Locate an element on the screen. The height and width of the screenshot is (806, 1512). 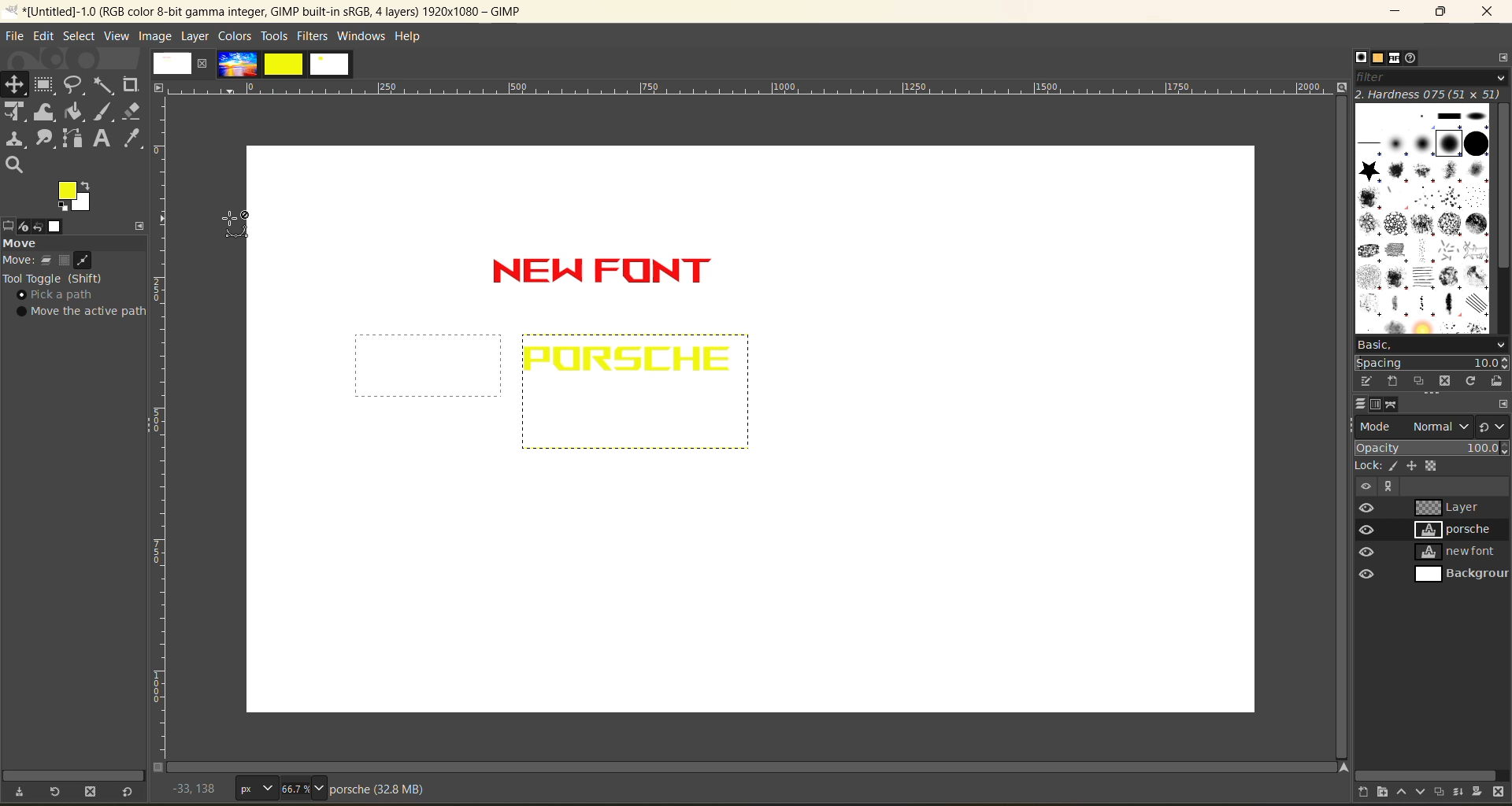
66.7% is located at coordinates (303, 789).